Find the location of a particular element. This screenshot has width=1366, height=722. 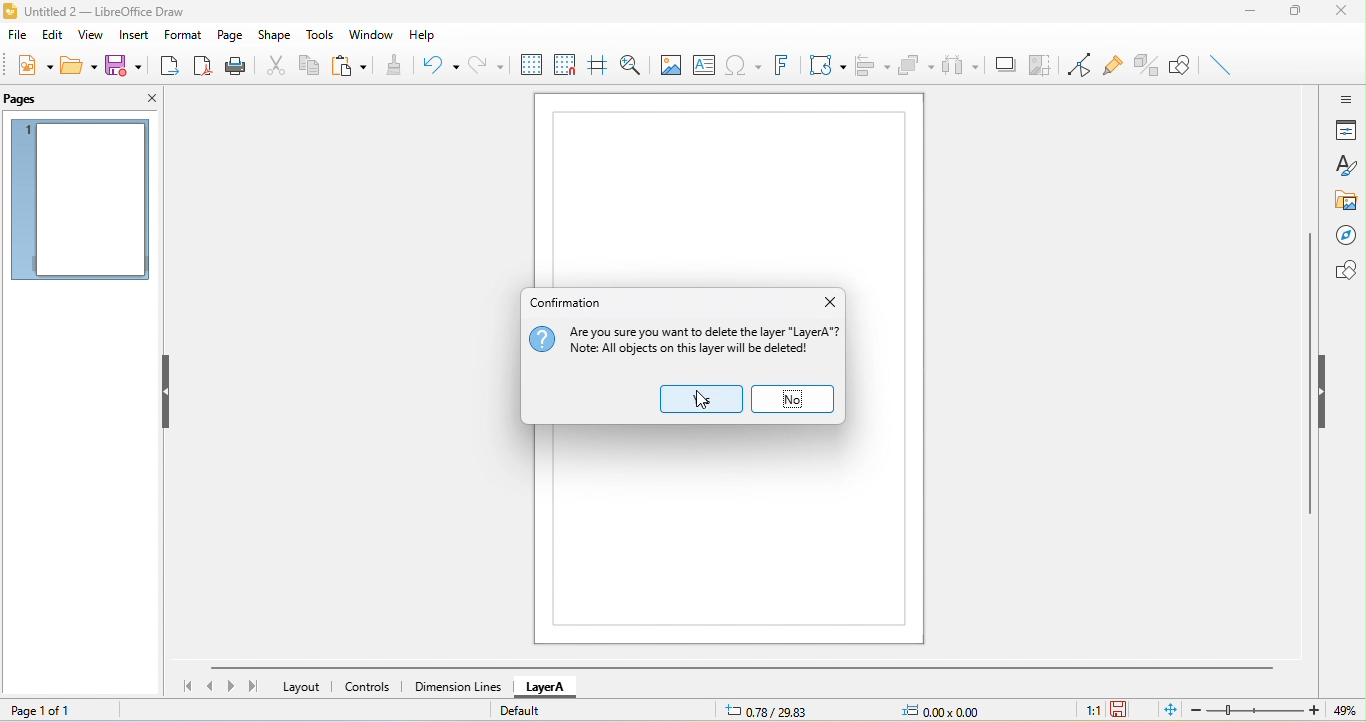

Untitled 2- Libreoffice Draw is located at coordinates (117, 9).